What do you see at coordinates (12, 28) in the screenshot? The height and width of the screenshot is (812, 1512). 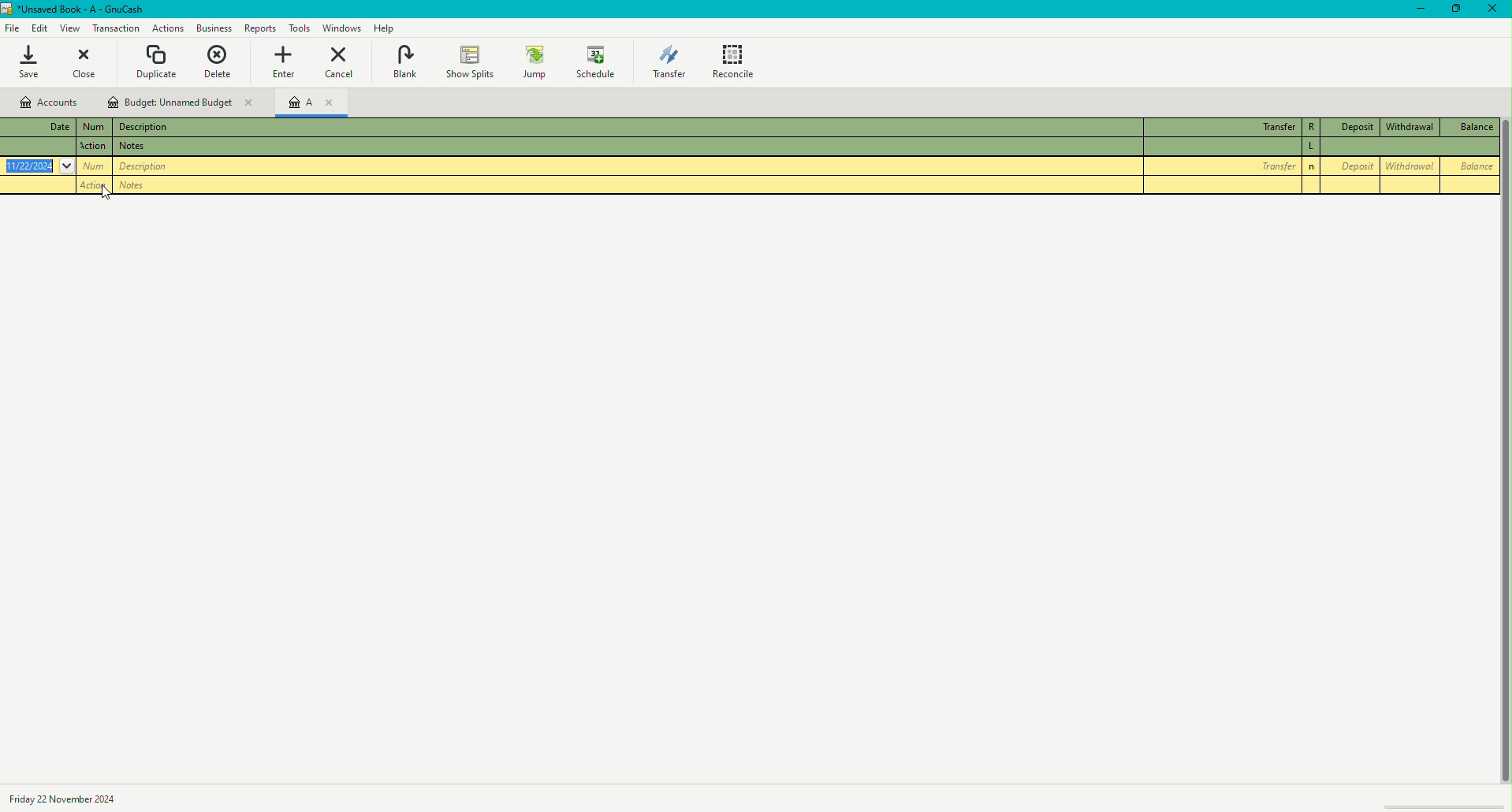 I see `File` at bounding box center [12, 28].